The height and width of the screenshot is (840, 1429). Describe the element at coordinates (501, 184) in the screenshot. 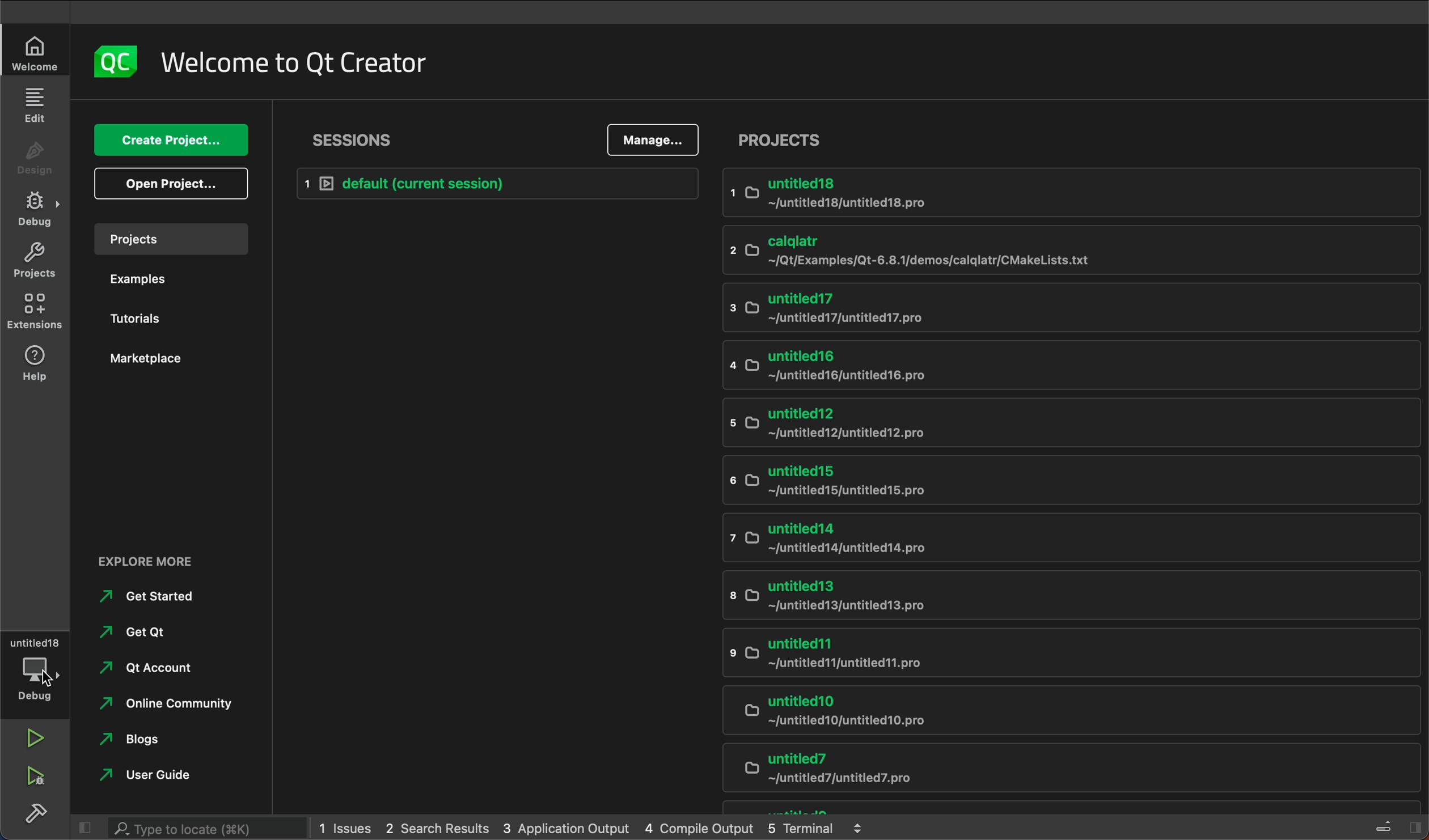

I see `Current session` at that location.